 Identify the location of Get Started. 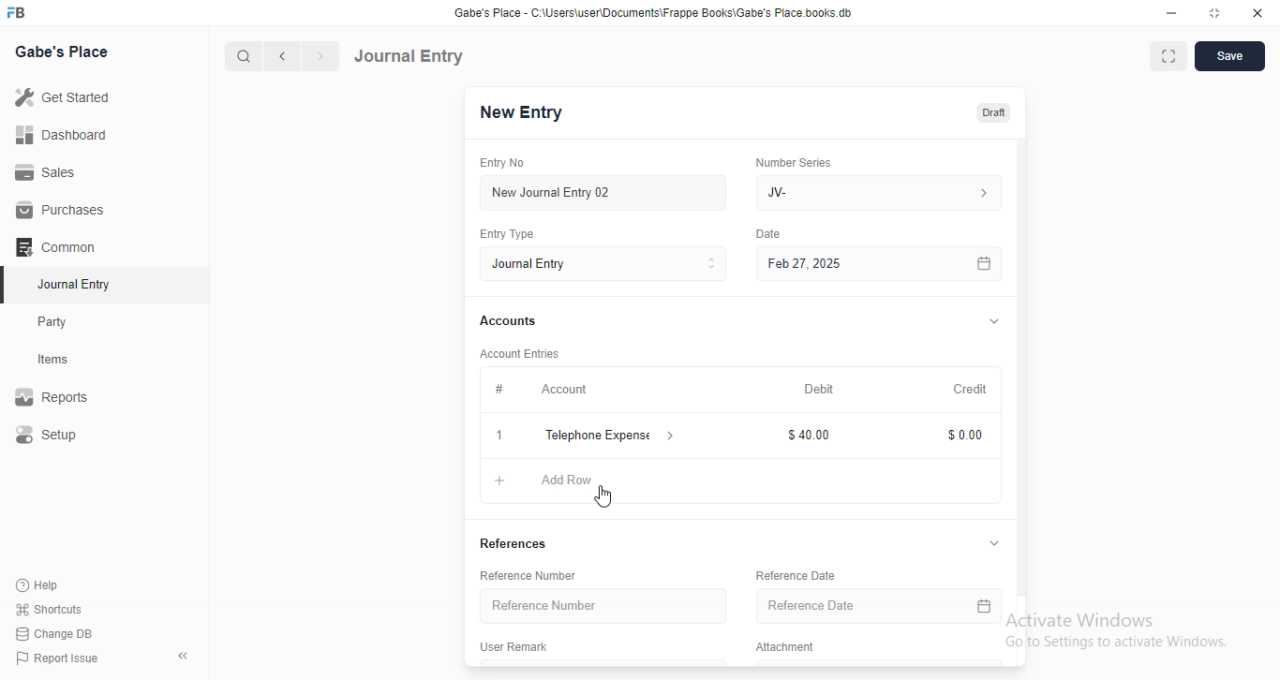
(66, 97).